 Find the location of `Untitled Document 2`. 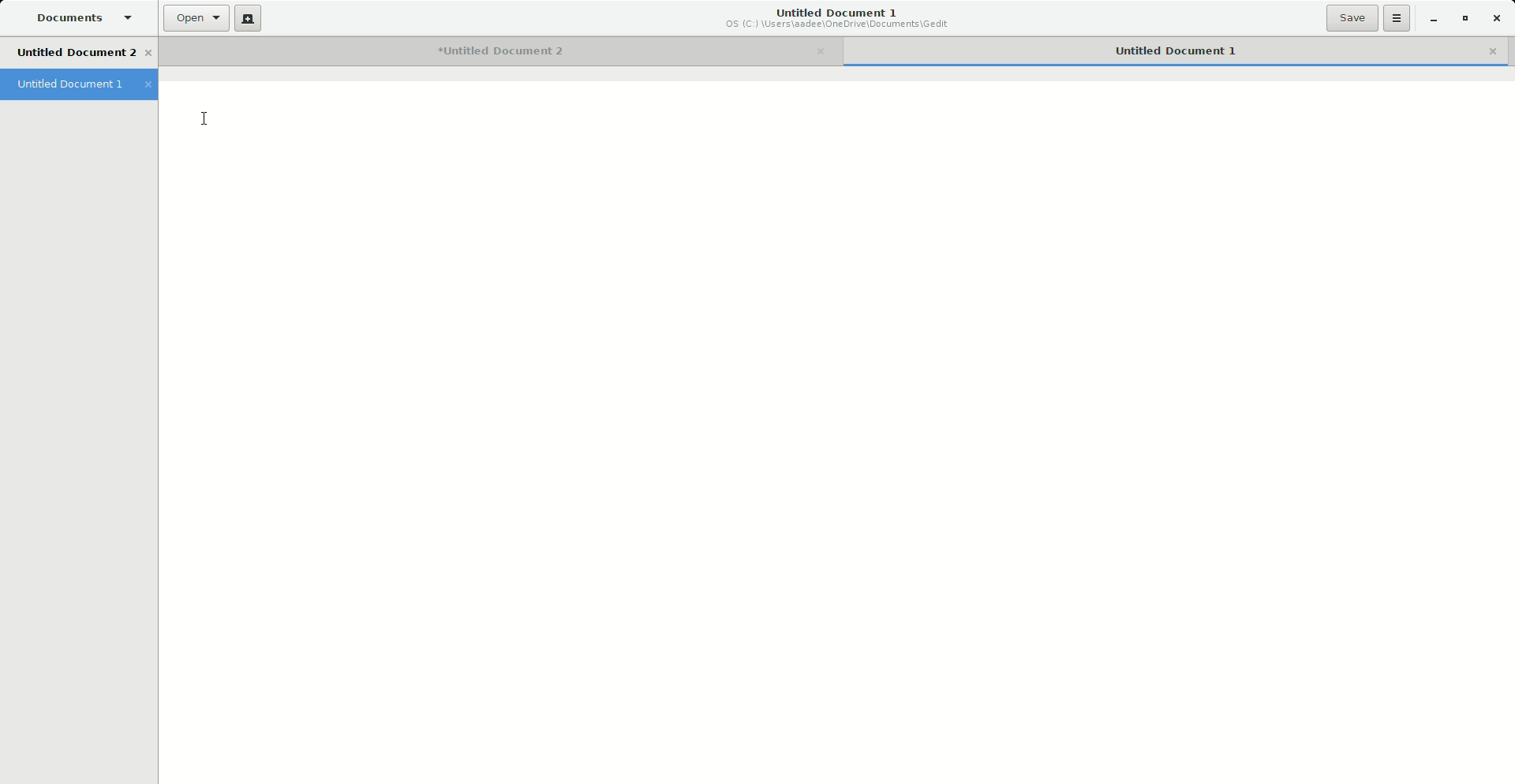

Untitled Document 2 is located at coordinates (503, 50).